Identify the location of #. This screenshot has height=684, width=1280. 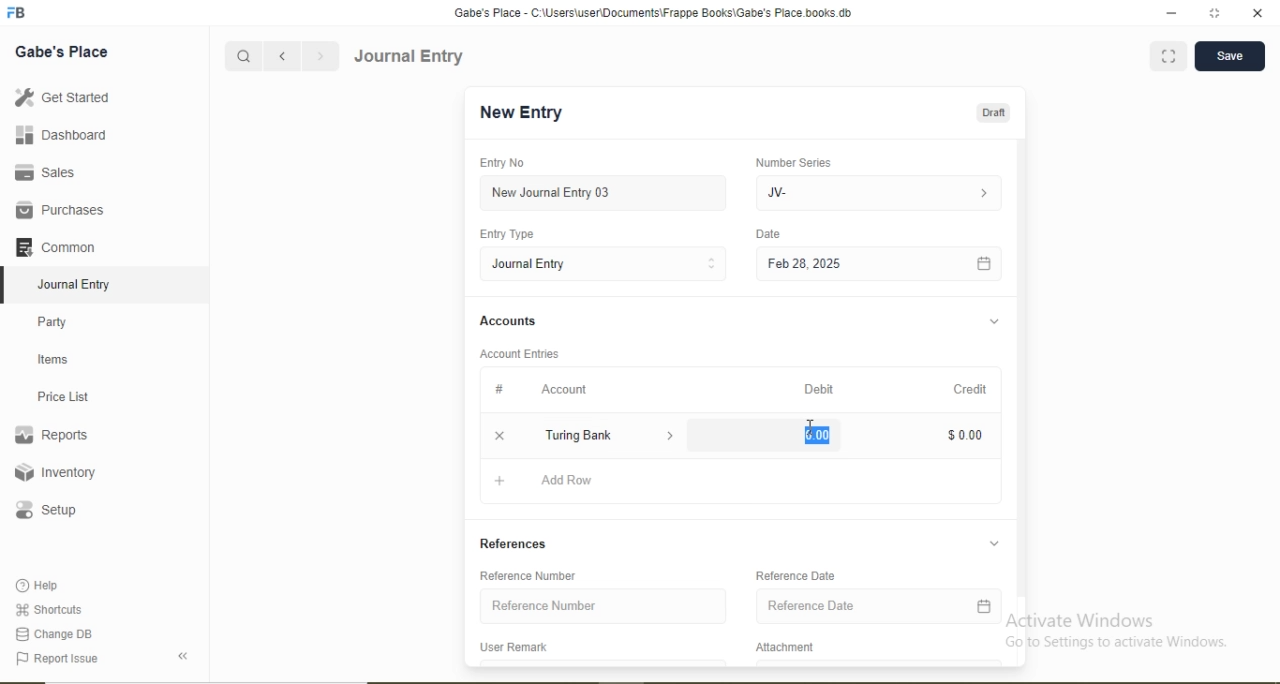
(500, 388).